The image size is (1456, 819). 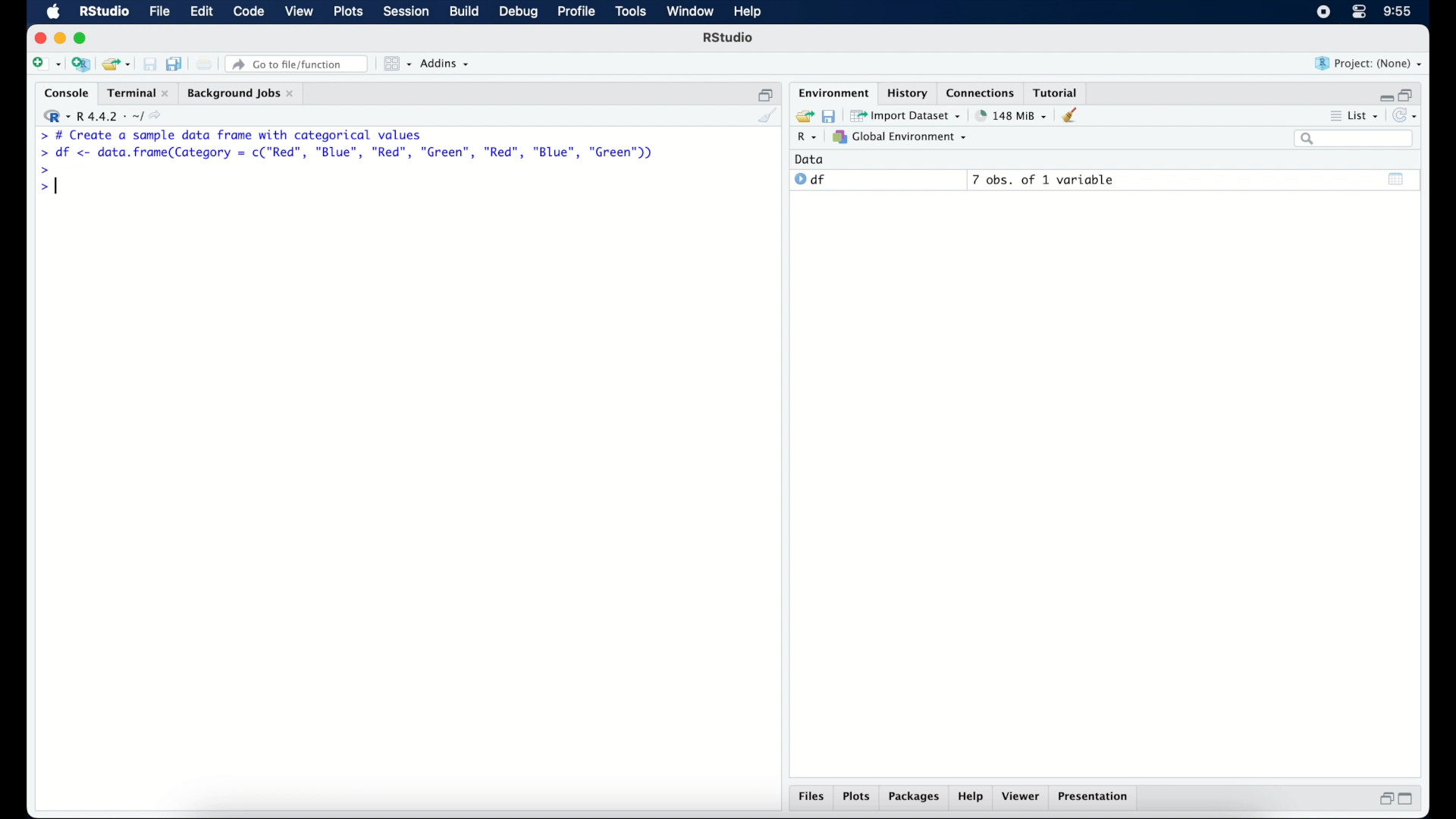 I want to click on list, so click(x=1366, y=115).